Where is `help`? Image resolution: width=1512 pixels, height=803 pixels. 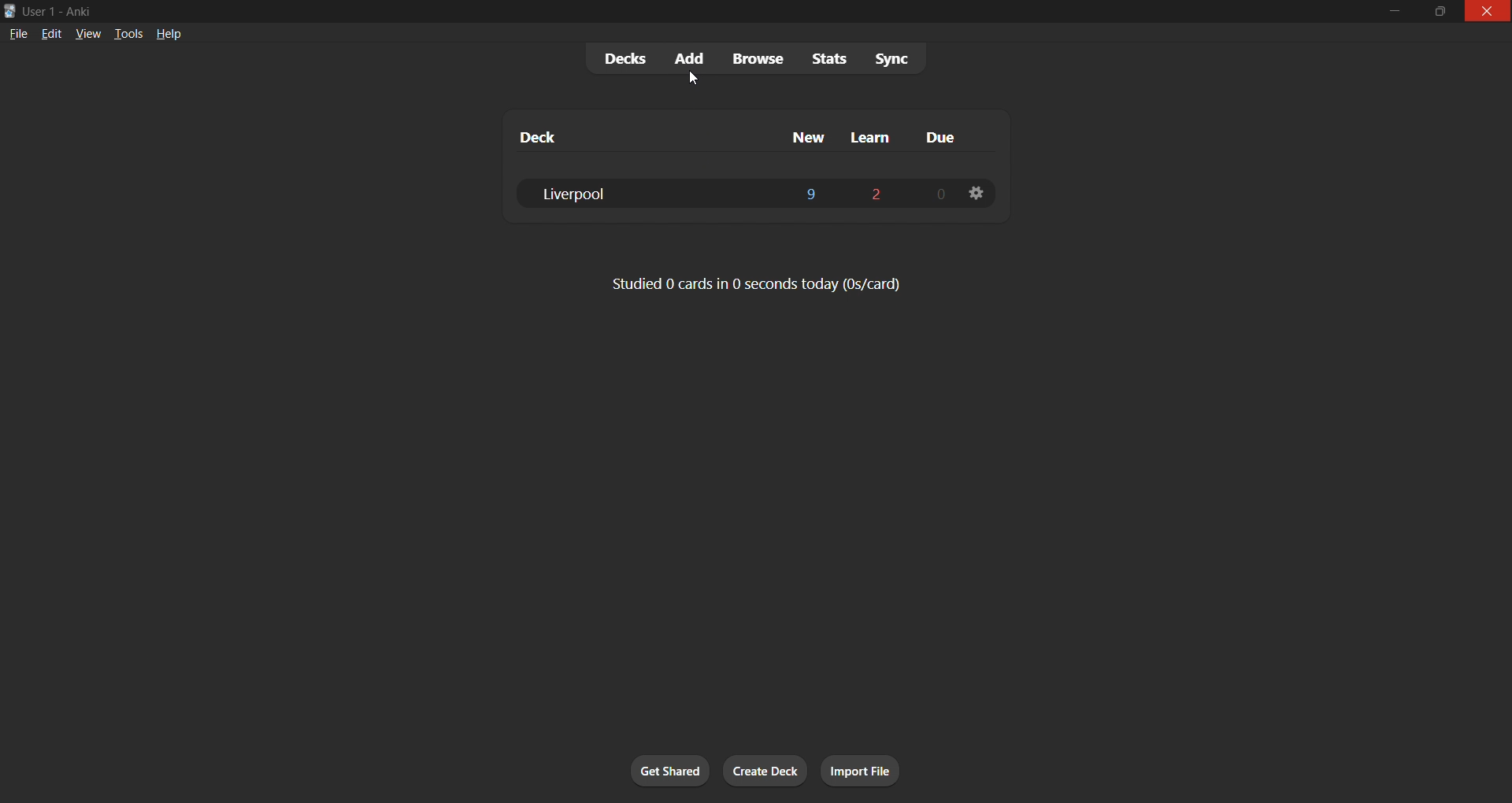
help is located at coordinates (167, 31).